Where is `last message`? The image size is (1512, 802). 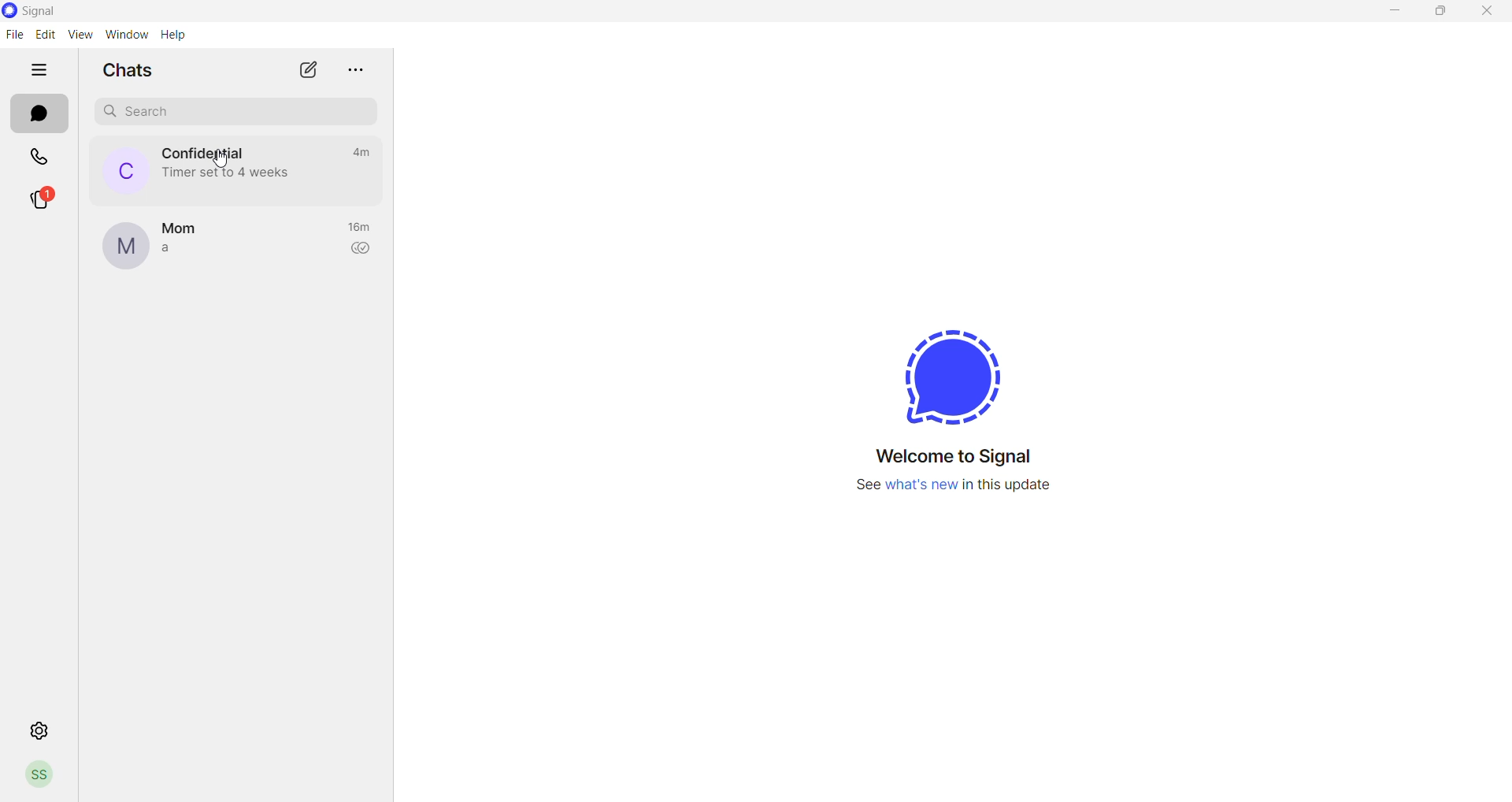
last message is located at coordinates (176, 249).